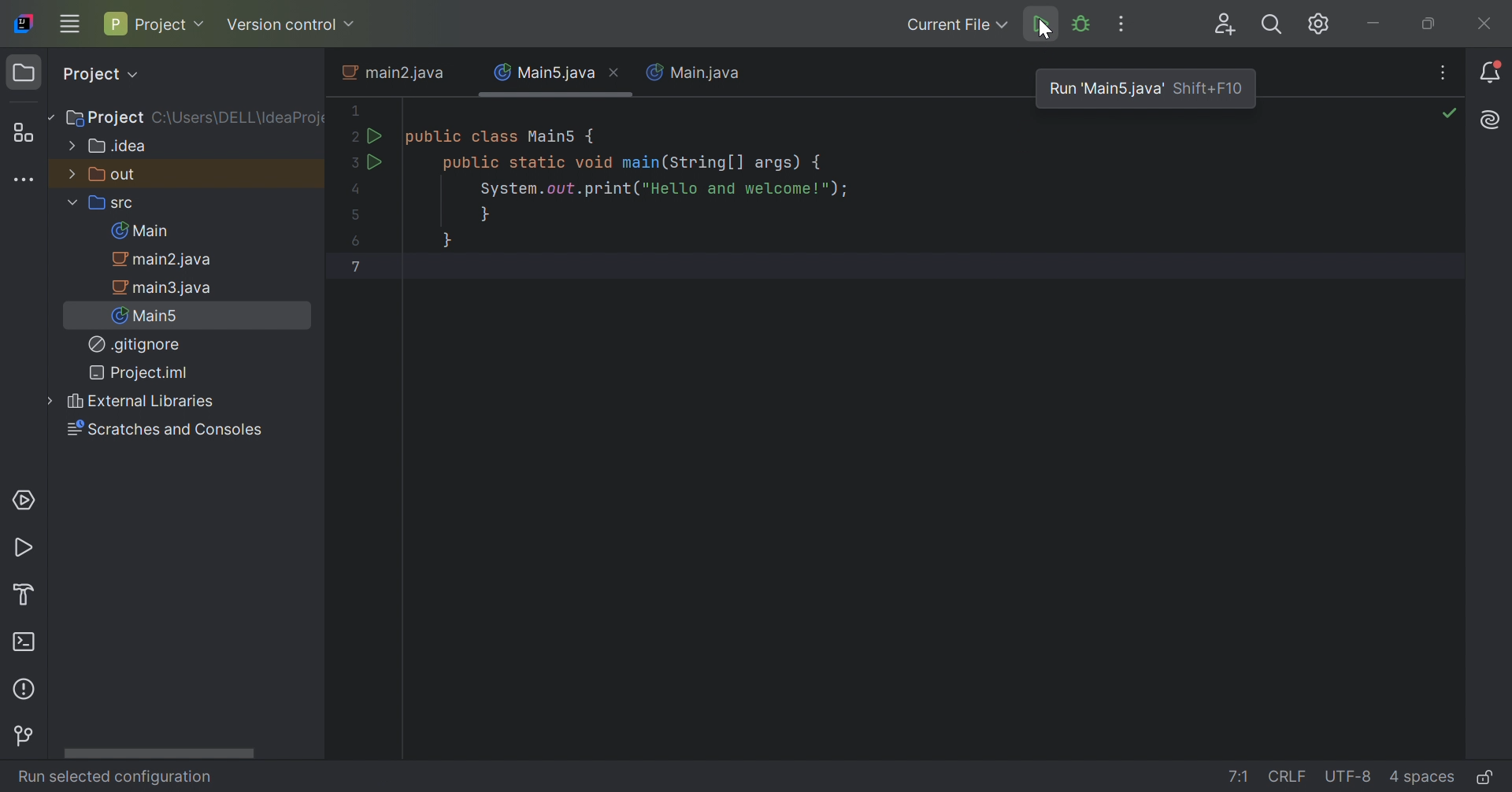  What do you see at coordinates (109, 205) in the screenshot?
I see `src` at bounding box center [109, 205].